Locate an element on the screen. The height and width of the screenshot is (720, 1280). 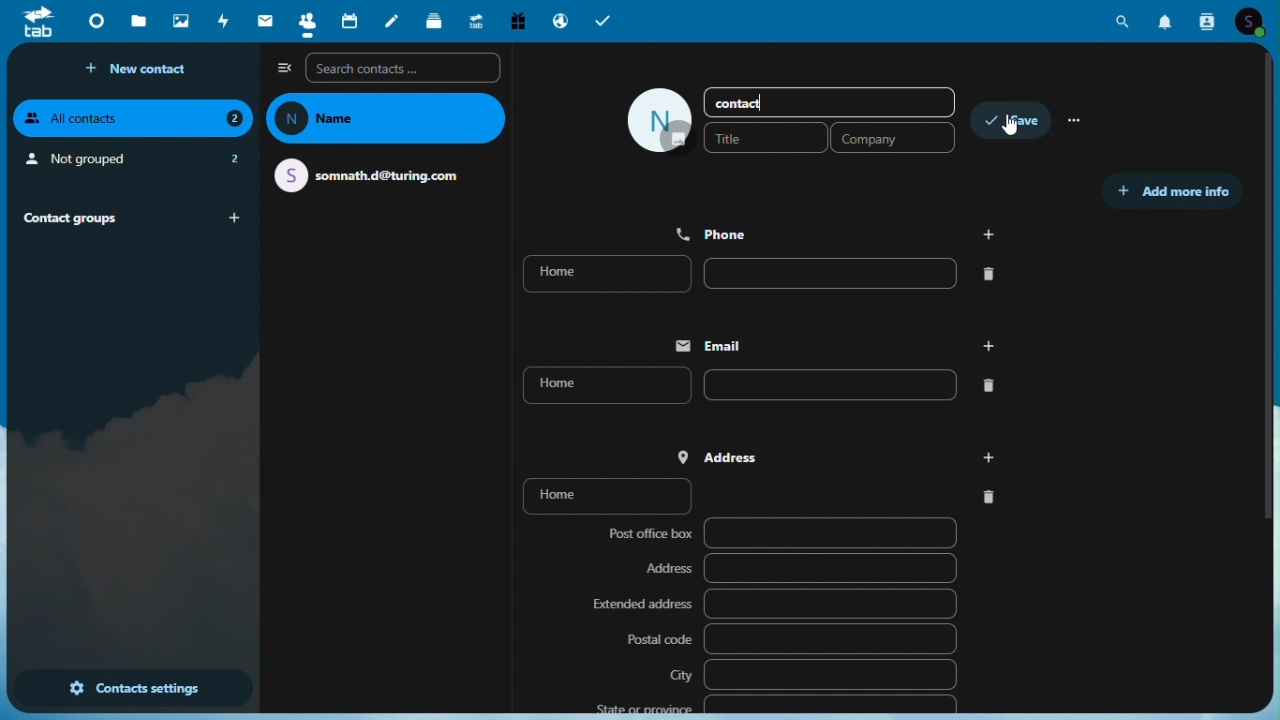
Account icon is located at coordinates (1258, 22).